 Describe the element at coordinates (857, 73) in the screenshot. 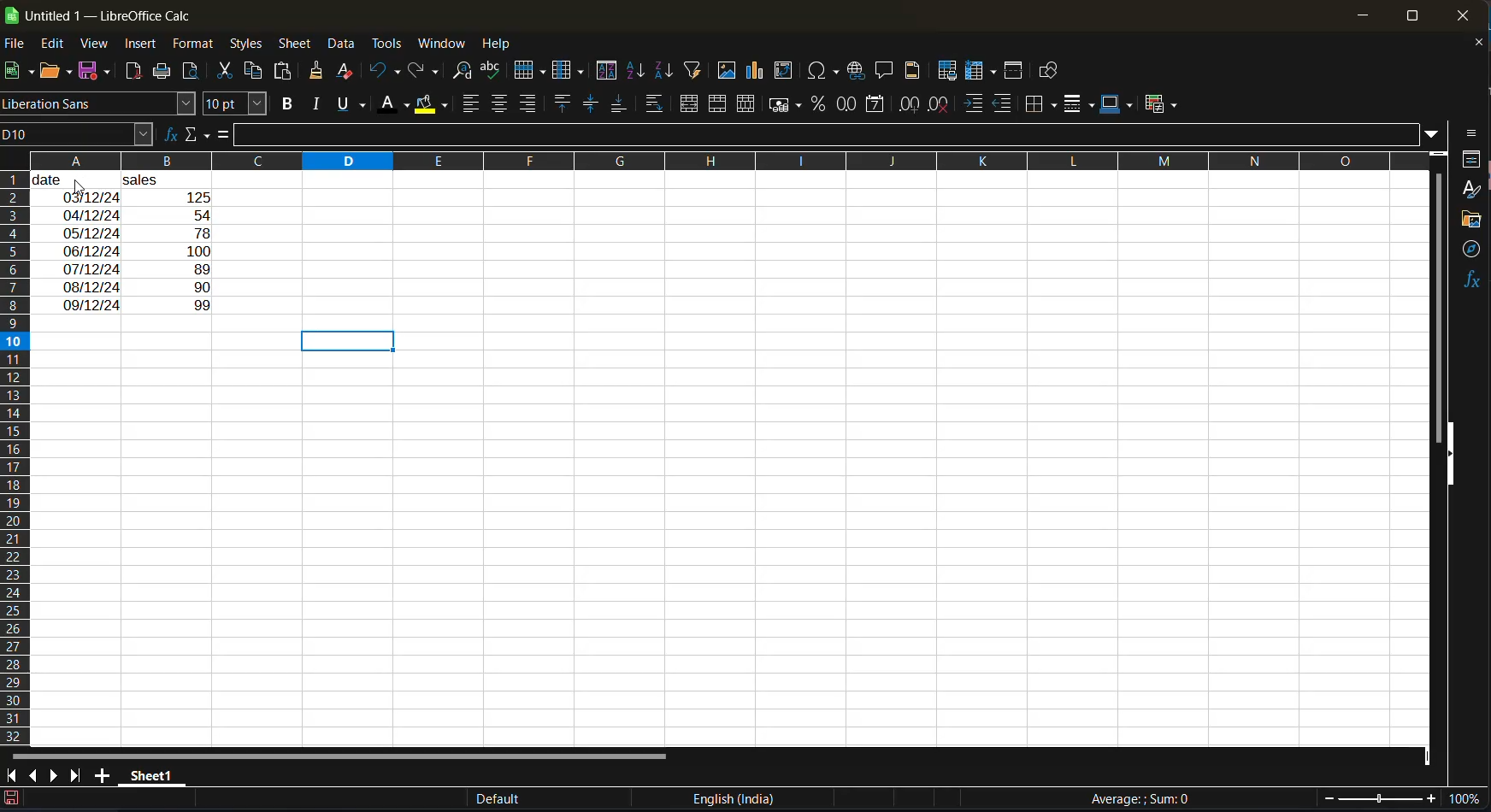

I see `insert hyperlink` at that location.